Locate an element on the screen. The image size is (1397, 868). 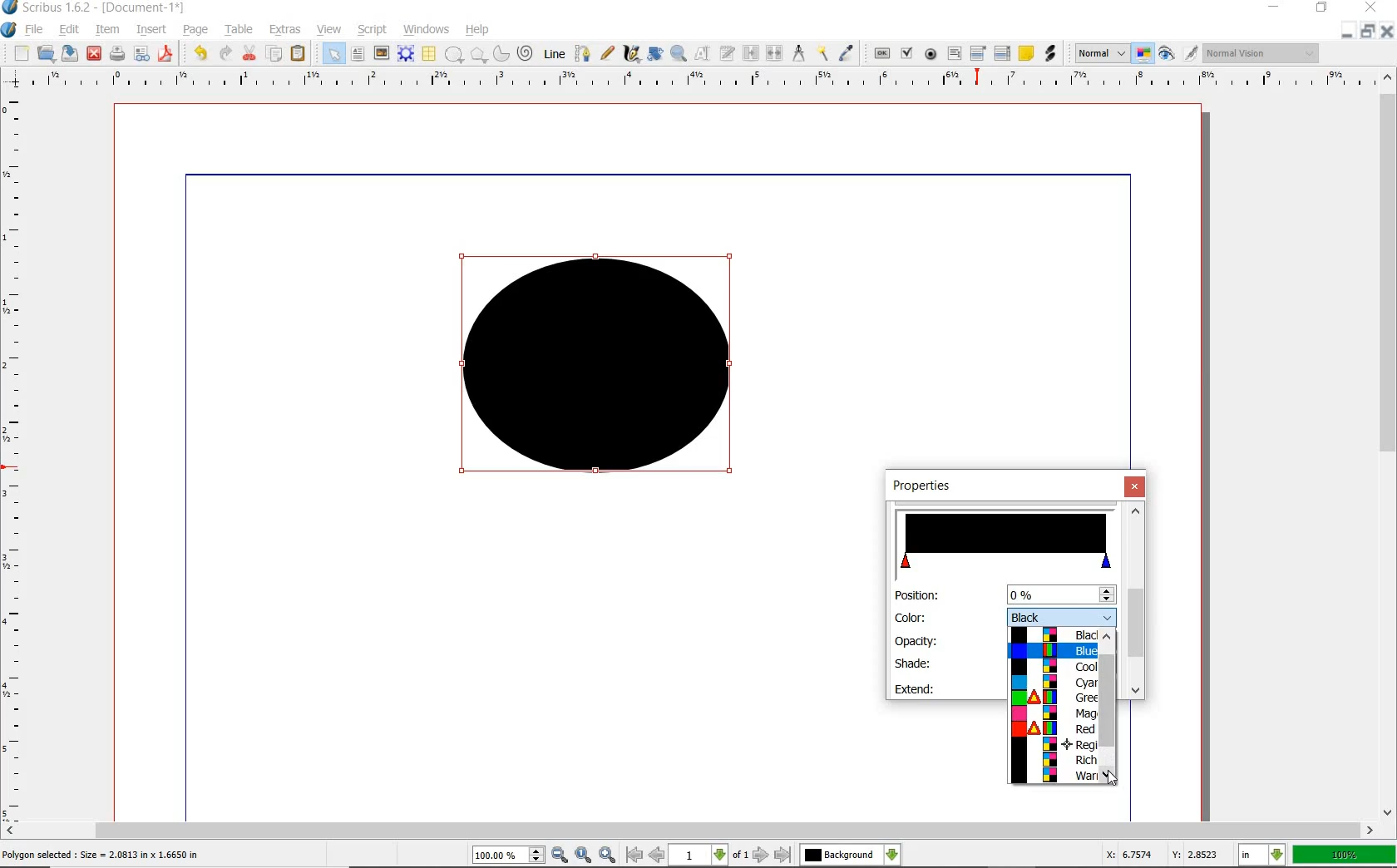
opacity is located at coordinates (918, 640).